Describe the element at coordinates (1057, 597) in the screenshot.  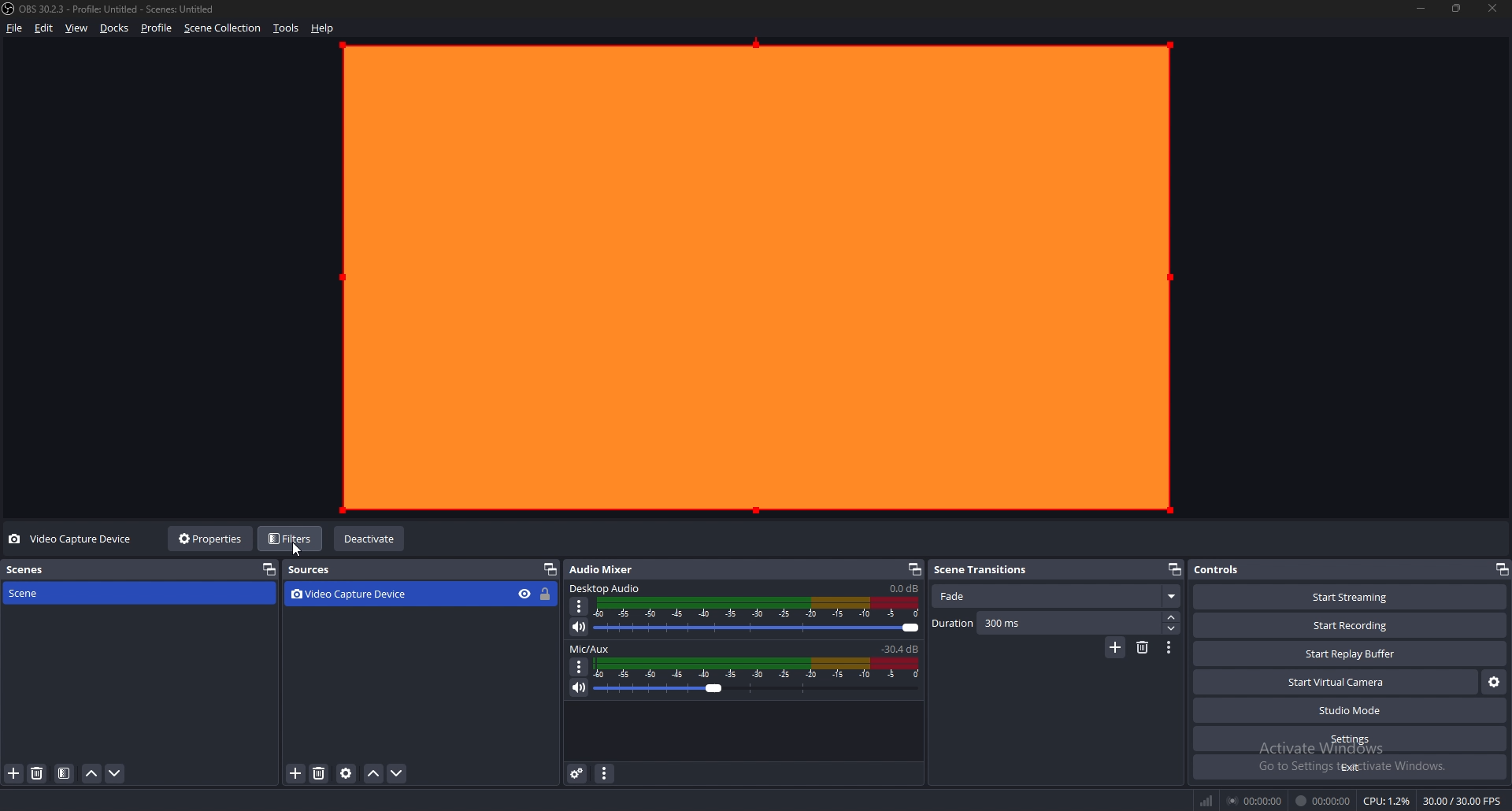
I see `fade` at that location.